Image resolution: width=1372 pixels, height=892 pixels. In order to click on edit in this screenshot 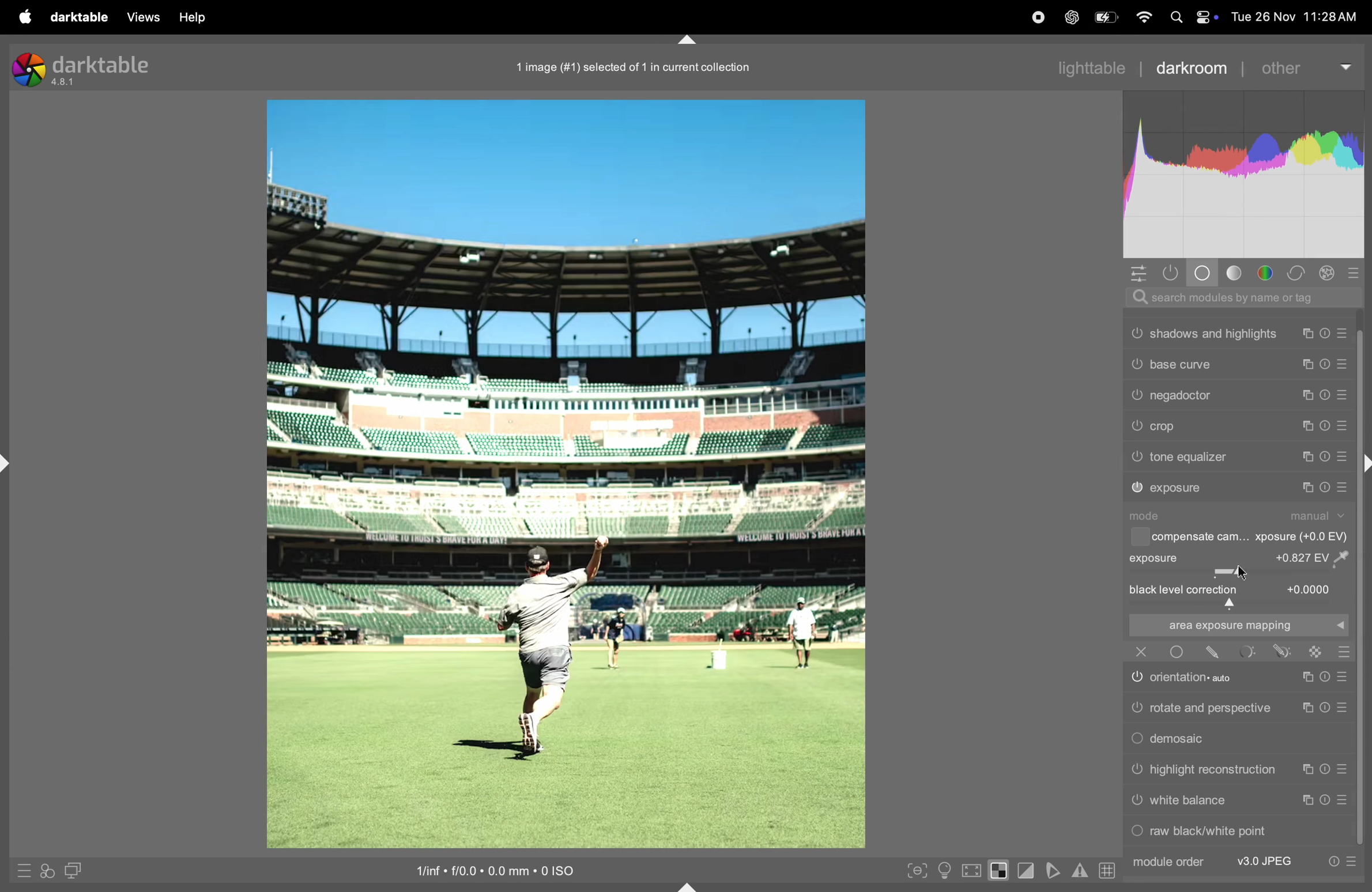, I will do `click(1213, 652)`.